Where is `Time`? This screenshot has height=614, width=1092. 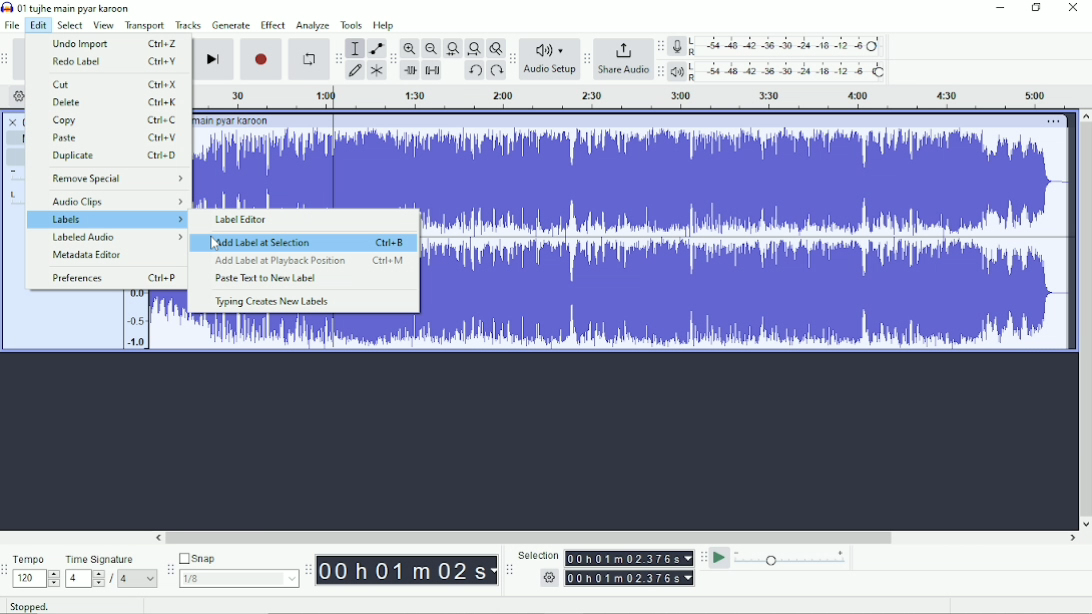 Time is located at coordinates (406, 570).